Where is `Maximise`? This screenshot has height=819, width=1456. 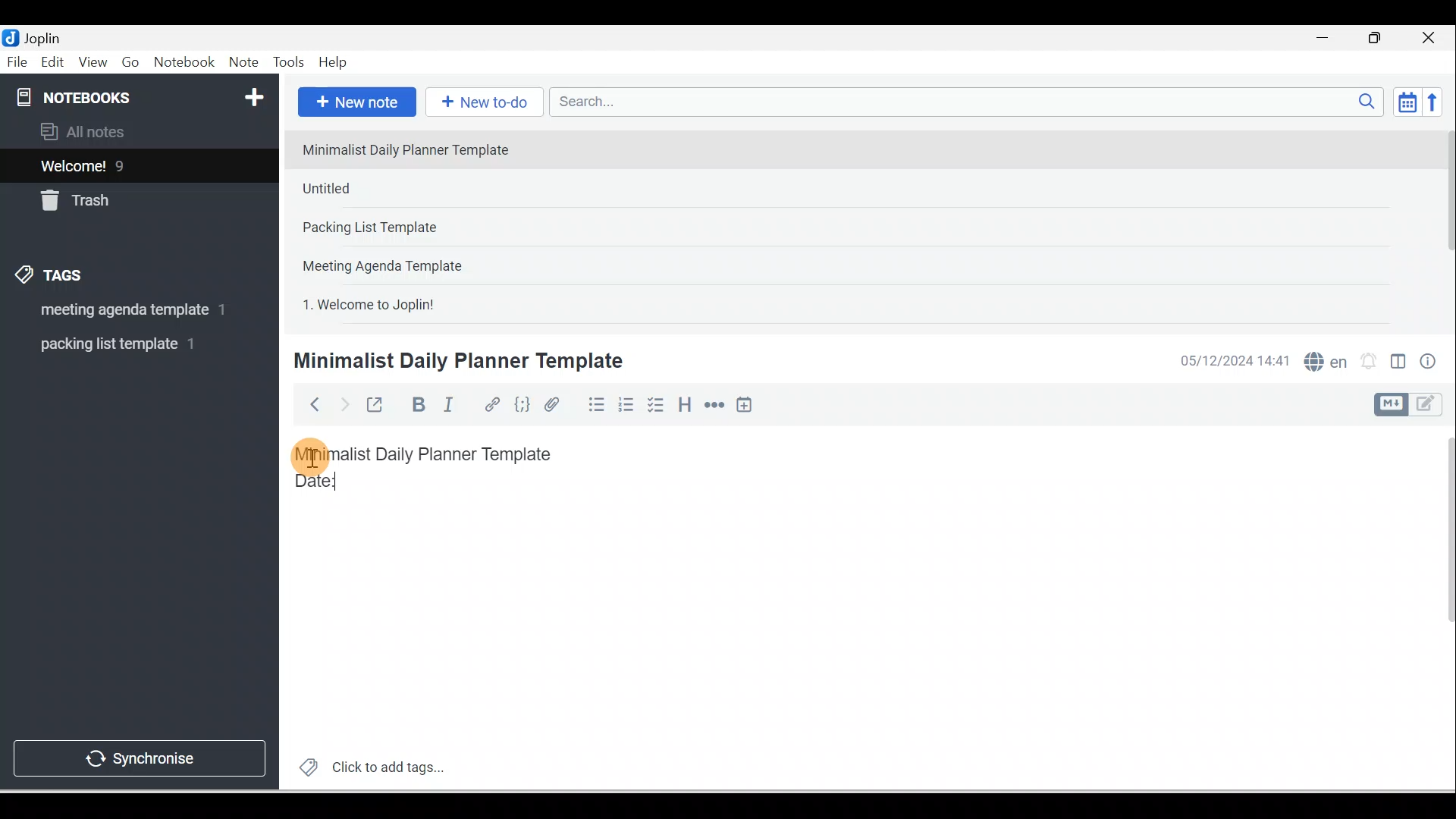
Maximise is located at coordinates (1380, 39).